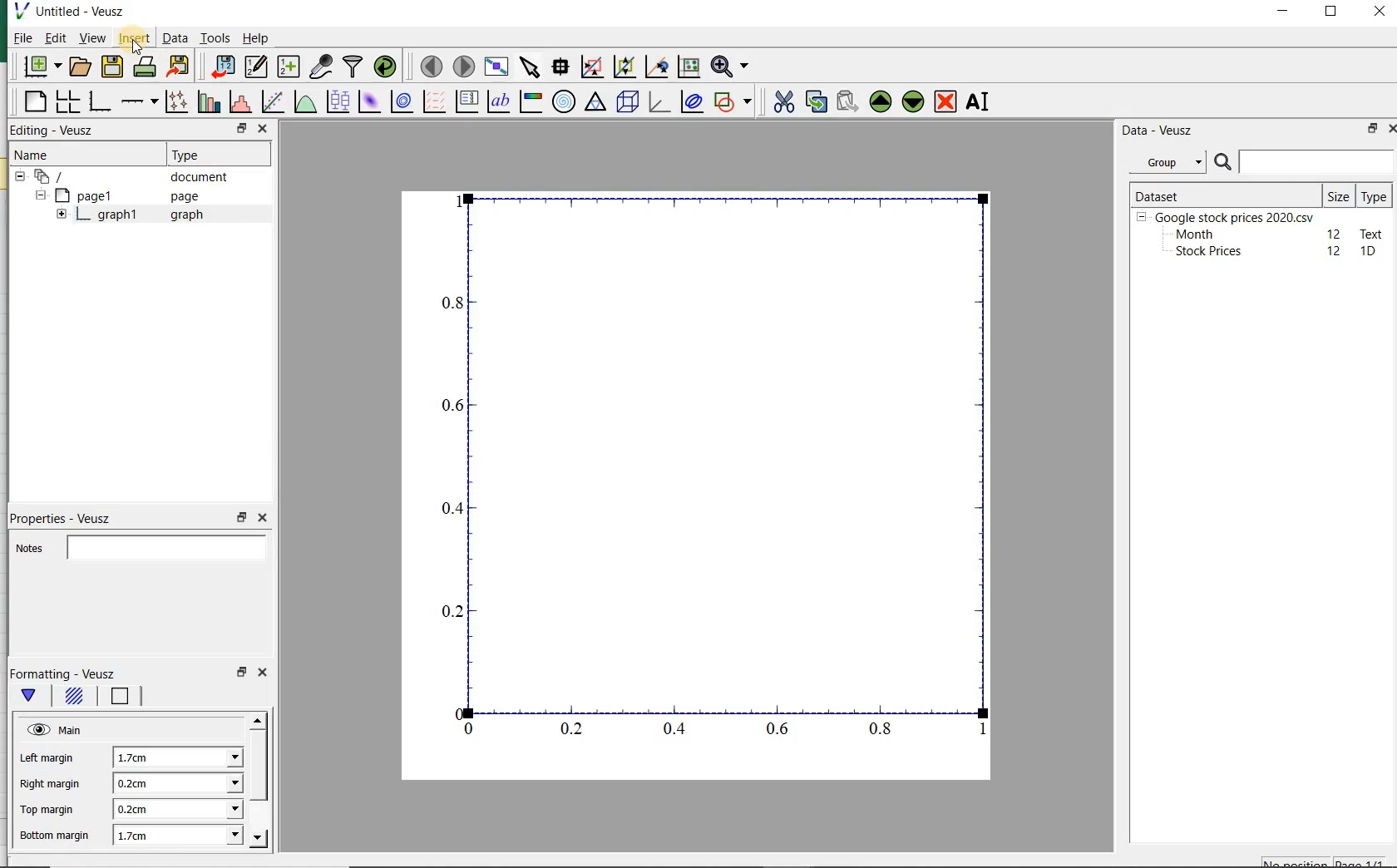 The image size is (1397, 868). I want to click on Month, so click(1193, 234).